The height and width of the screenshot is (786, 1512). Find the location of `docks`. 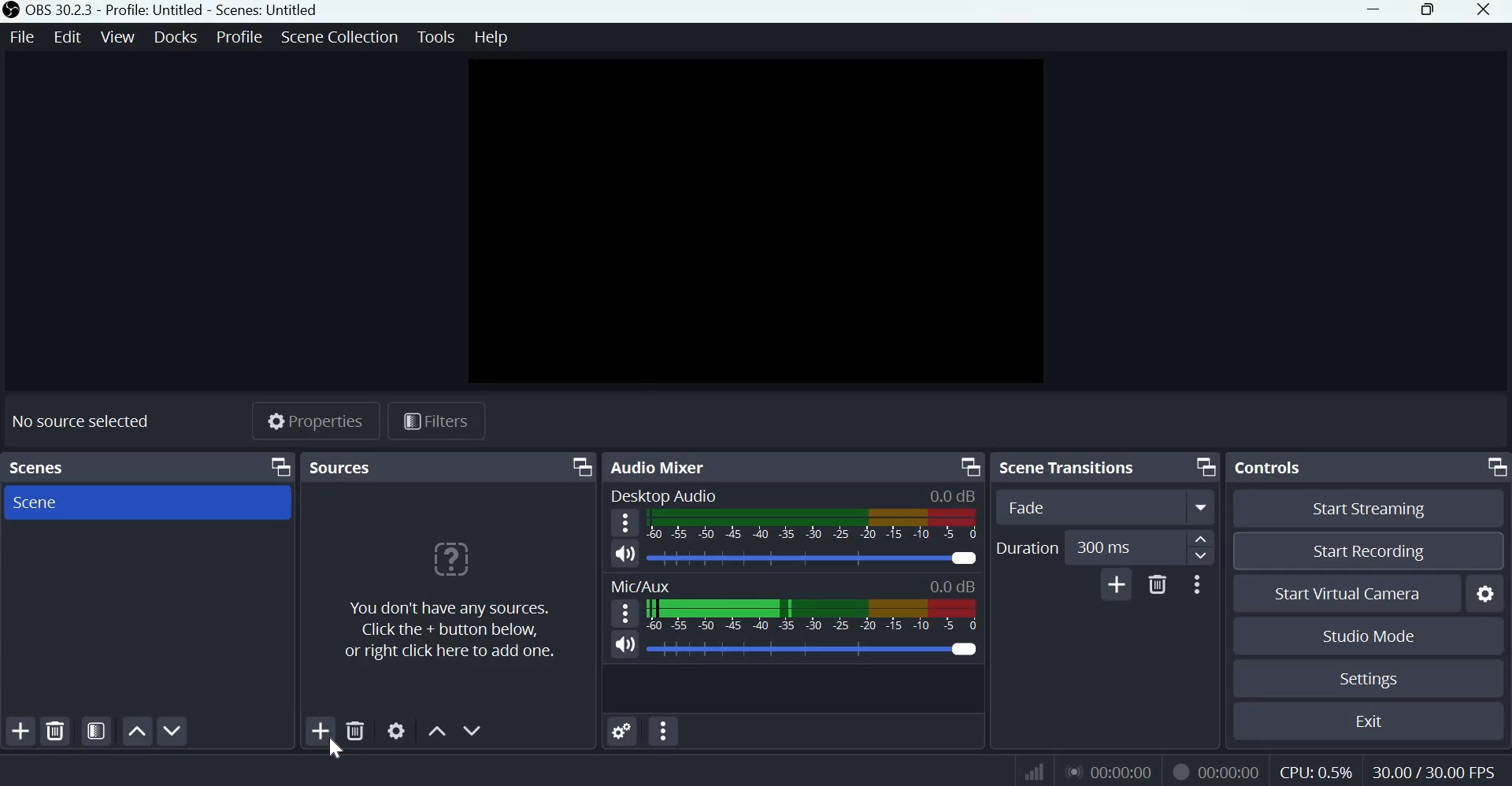

docks is located at coordinates (178, 35).